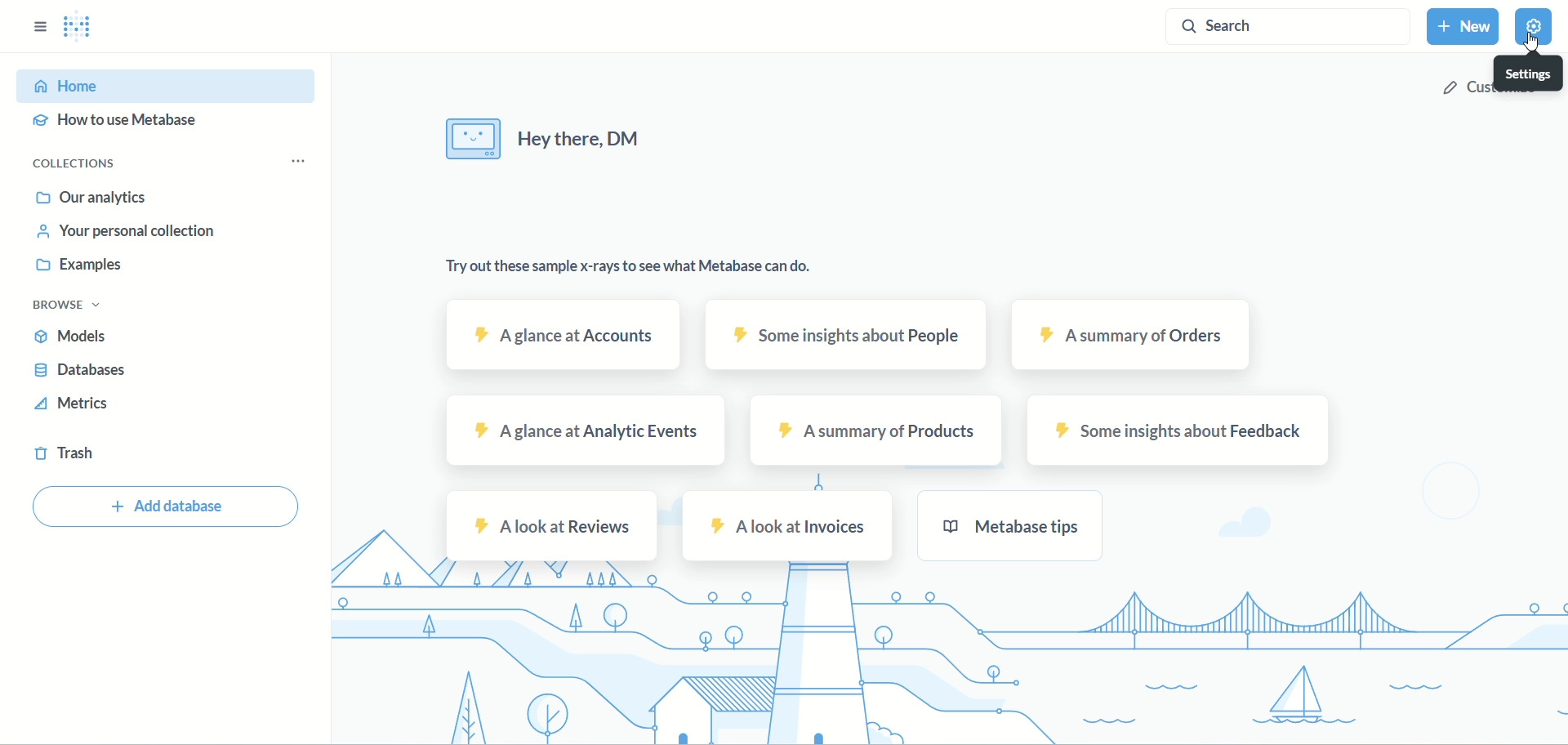  Describe the element at coordinates (786, 527) in the screenshot. I see `a look at invoices` at that location.